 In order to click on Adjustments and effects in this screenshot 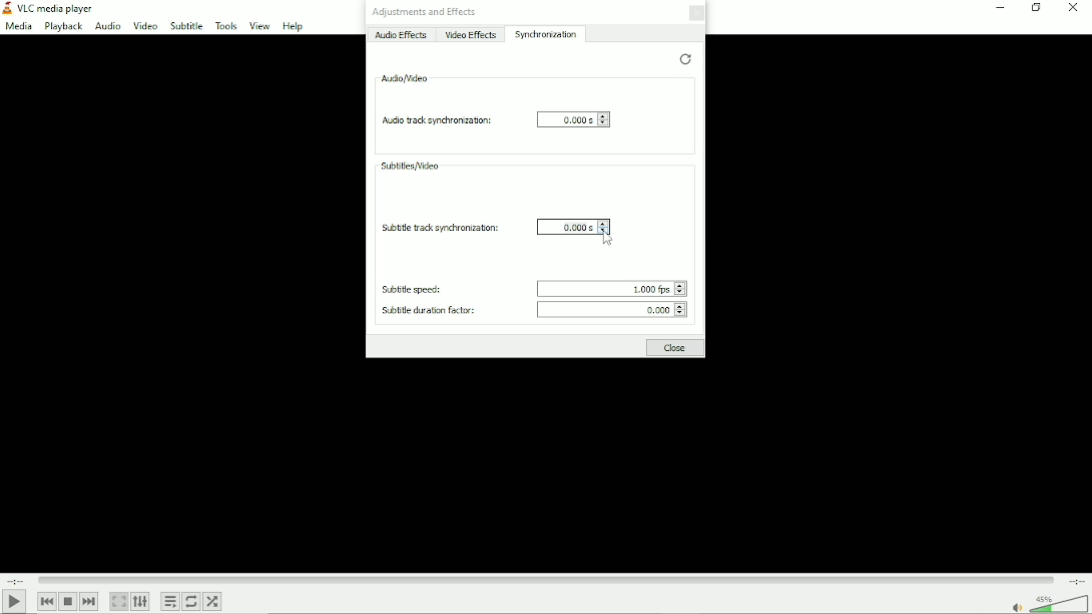, I will do `click(424, 12)`.